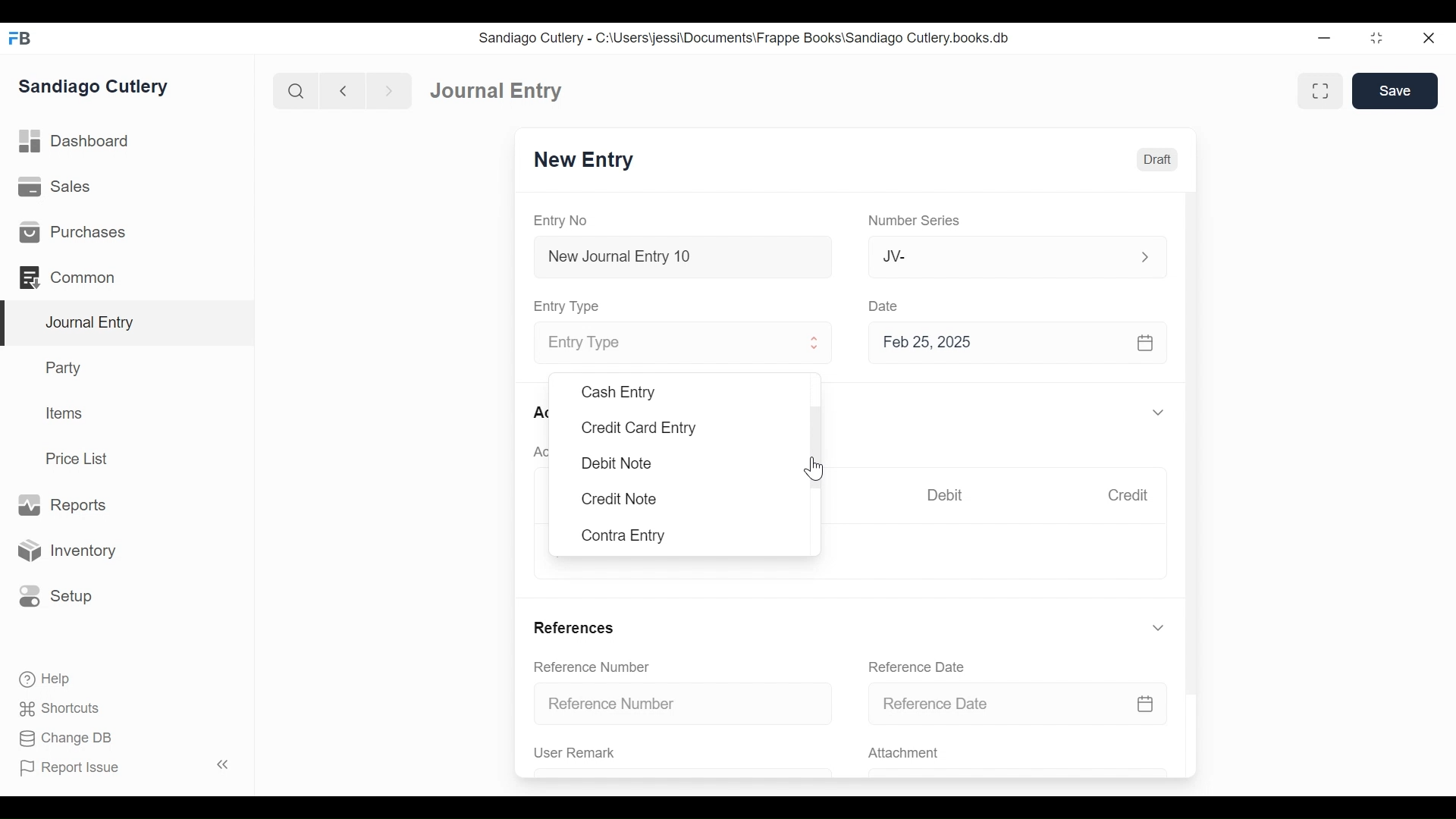 The image size is (1456, 819). Describe the element at coordinates (1018, 704) in the screenshot. I see `Reference Date` at that location.